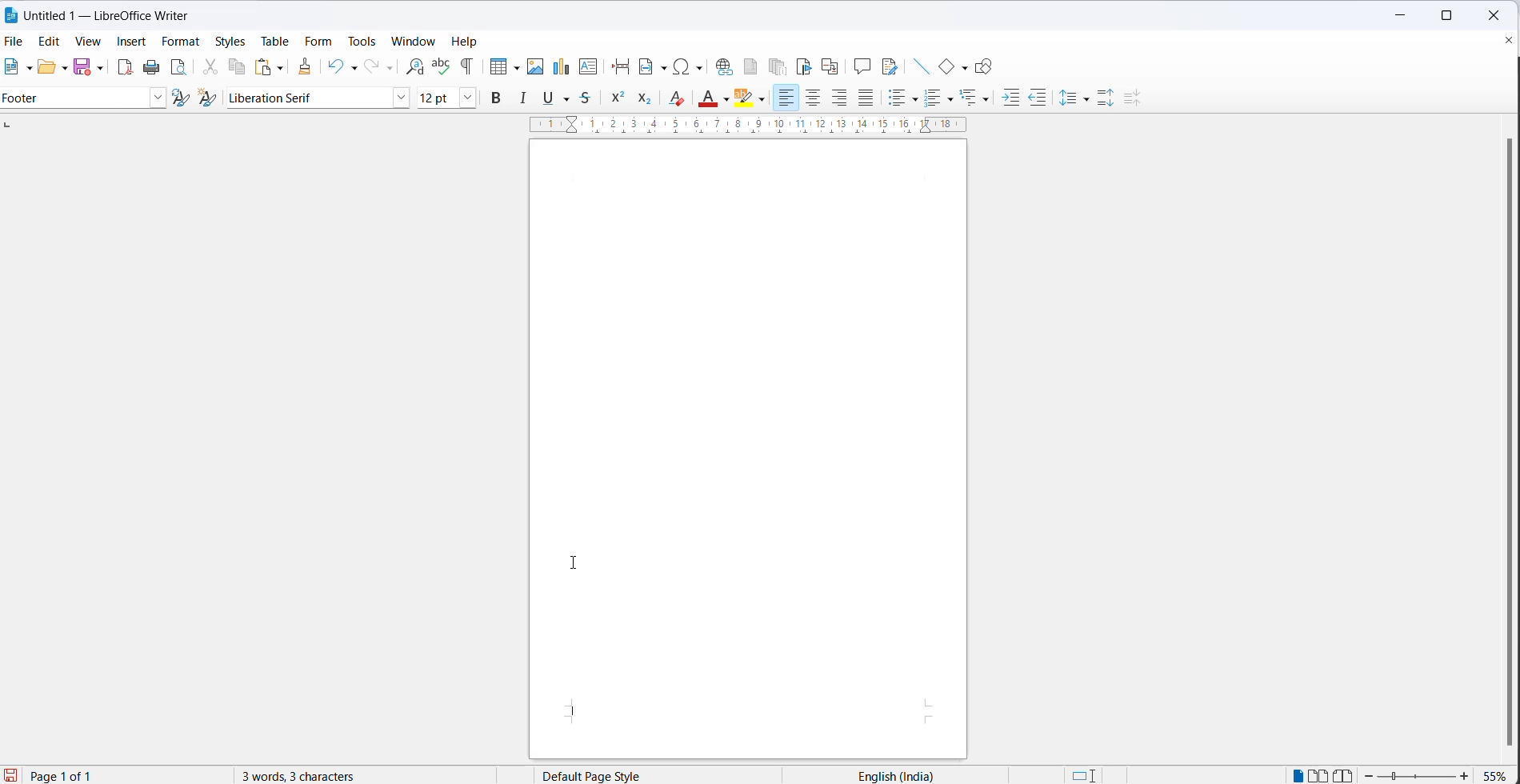  What do you see at coordinates (151, 66) in the screenshot?
I see `print` at bounding box center [151, 66].